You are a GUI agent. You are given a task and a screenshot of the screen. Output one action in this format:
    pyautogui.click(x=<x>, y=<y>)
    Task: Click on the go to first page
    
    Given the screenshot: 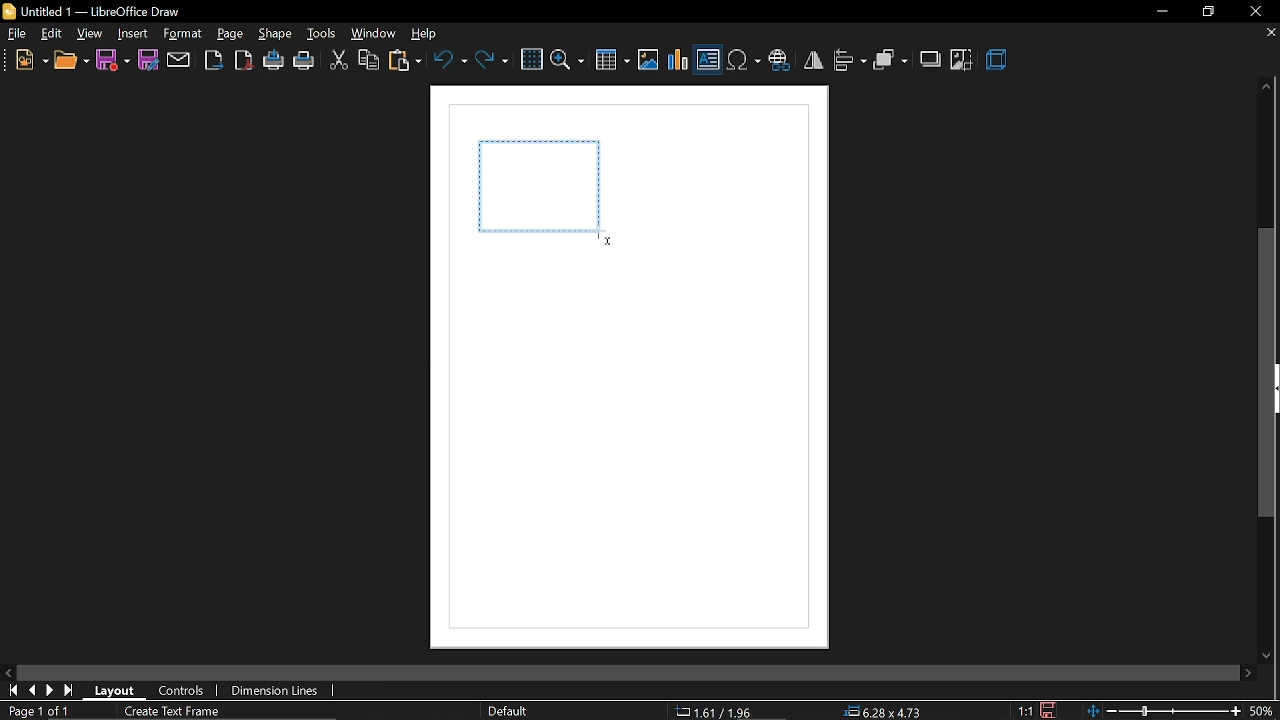 What is the action you would take?
    pyautogui.click(x=14, y=691)
    